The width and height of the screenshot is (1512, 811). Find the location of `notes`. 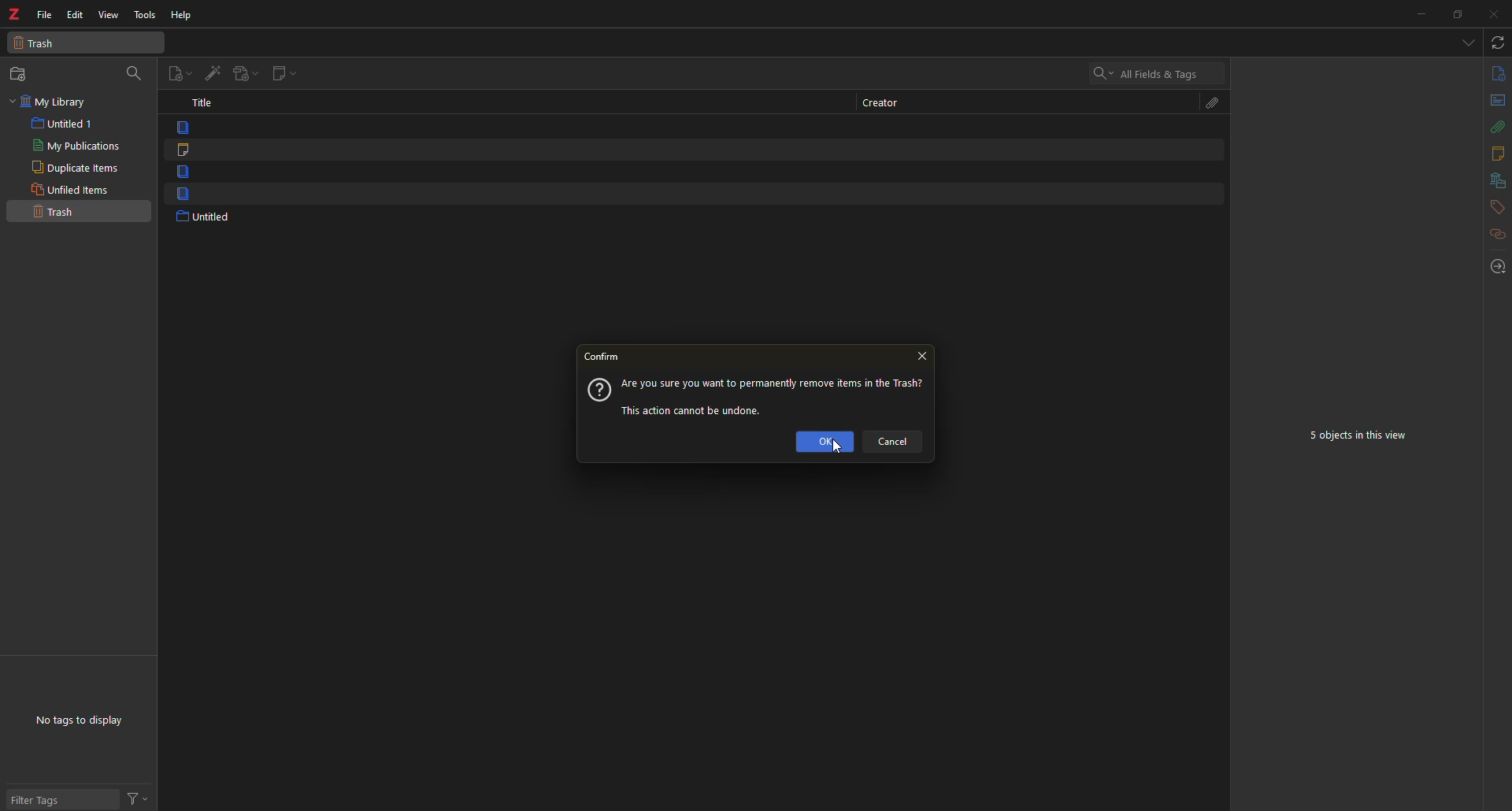

notes is located at coordinates (1495, 154).